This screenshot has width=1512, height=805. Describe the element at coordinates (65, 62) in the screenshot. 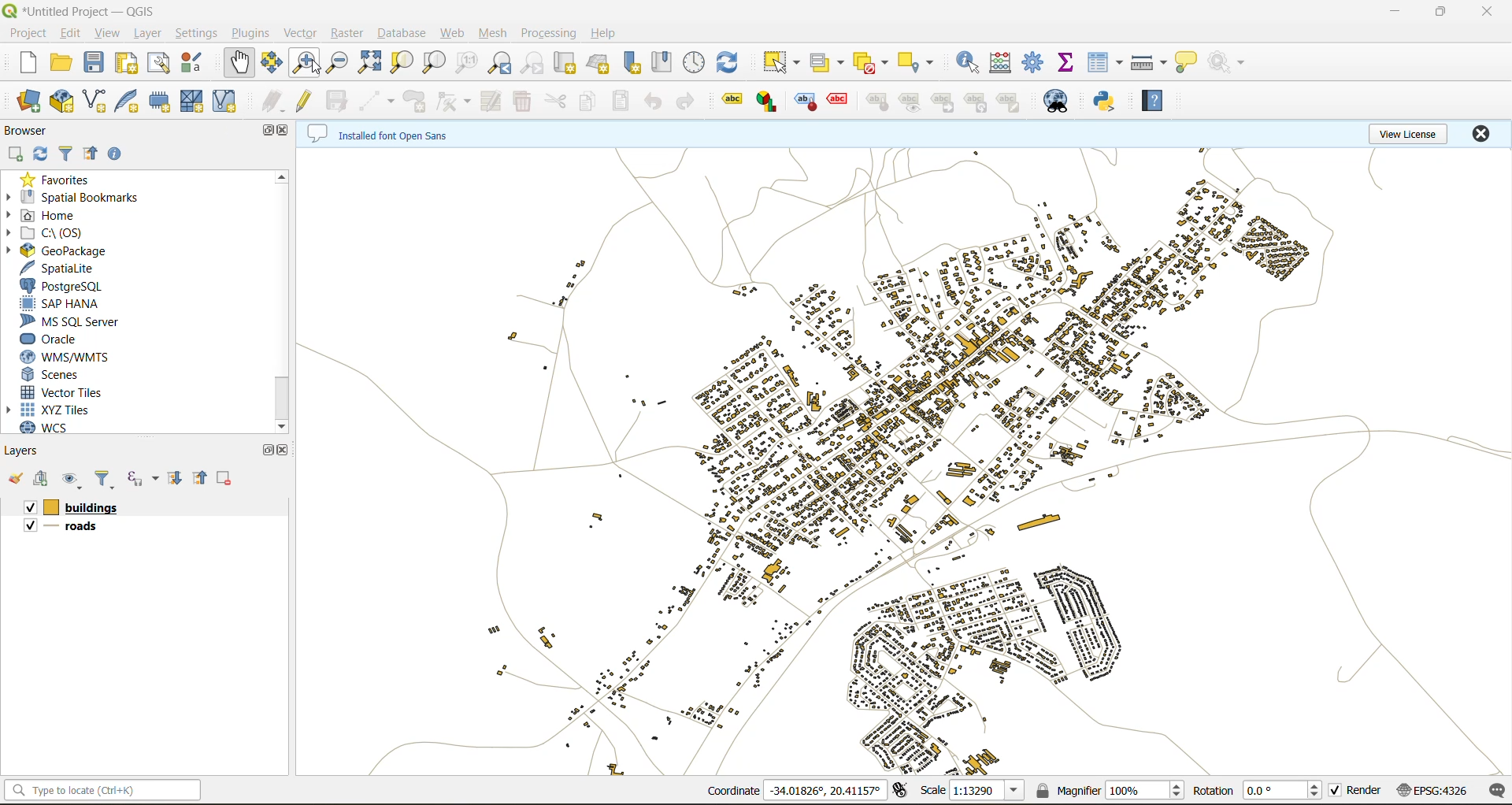

I see `open` at that location.